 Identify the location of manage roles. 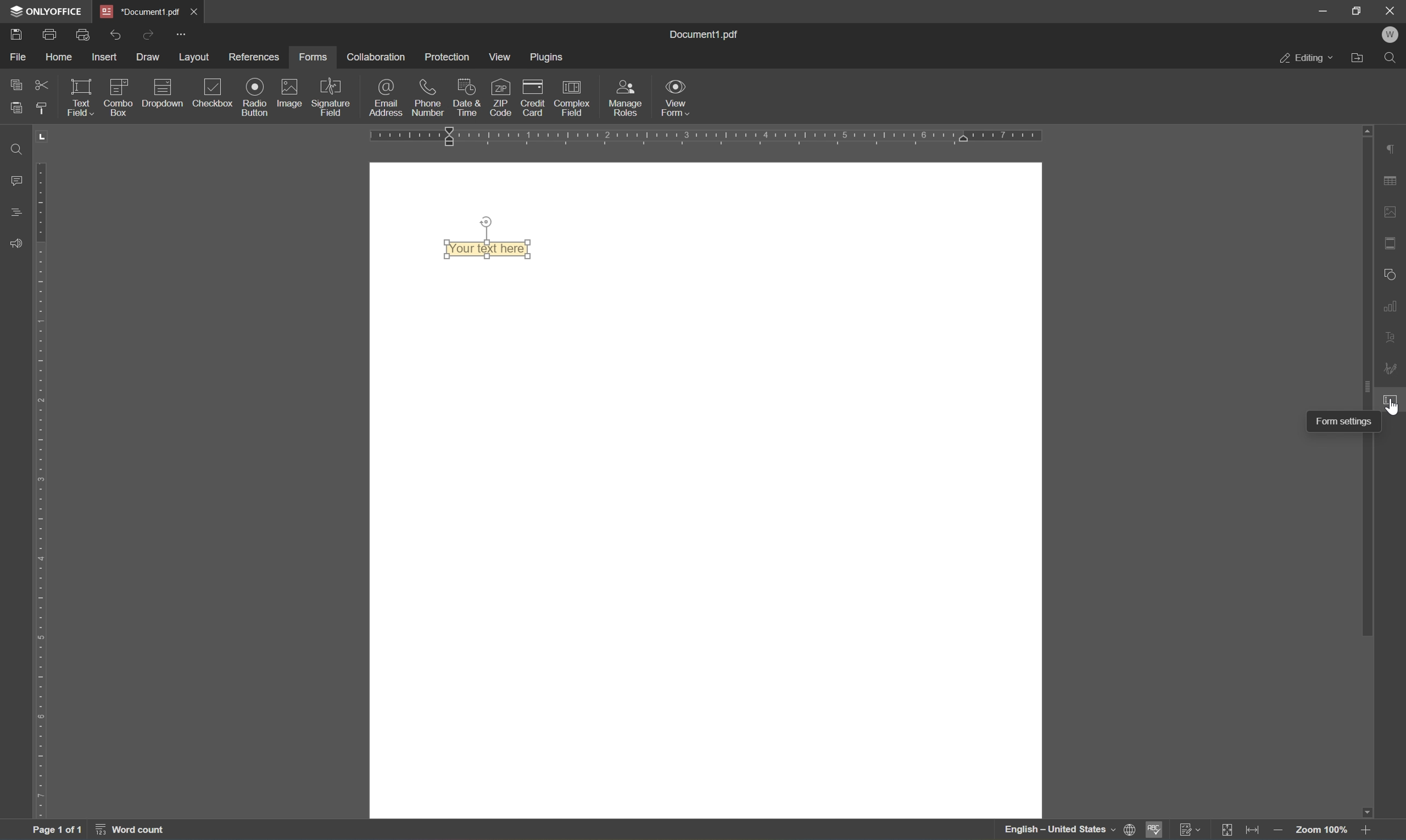
(623, 100).